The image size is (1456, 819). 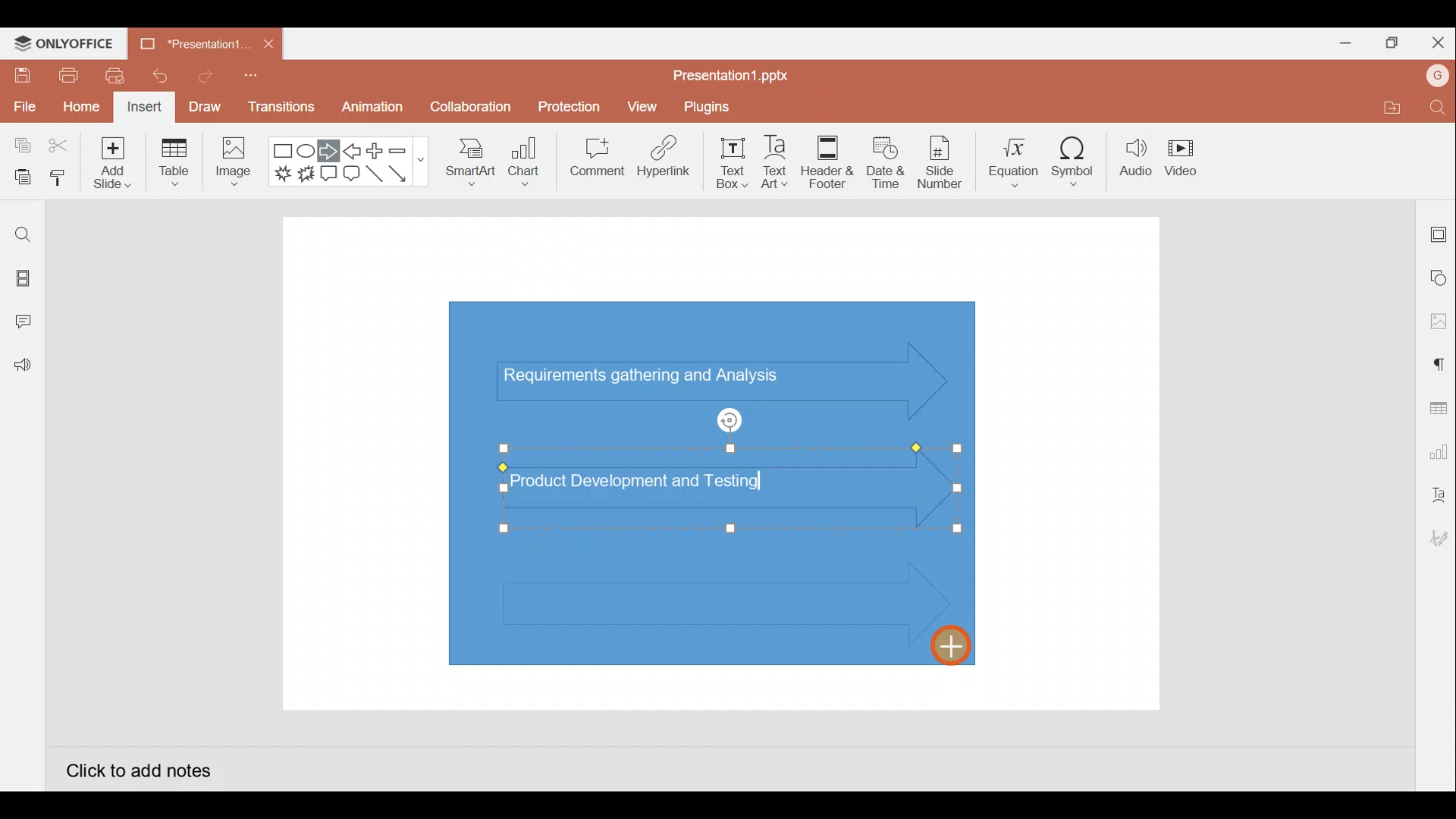 What do you see at coordinates (67, 74) in the screenshot?
I see `Print file` at bounding box center [67, 74].